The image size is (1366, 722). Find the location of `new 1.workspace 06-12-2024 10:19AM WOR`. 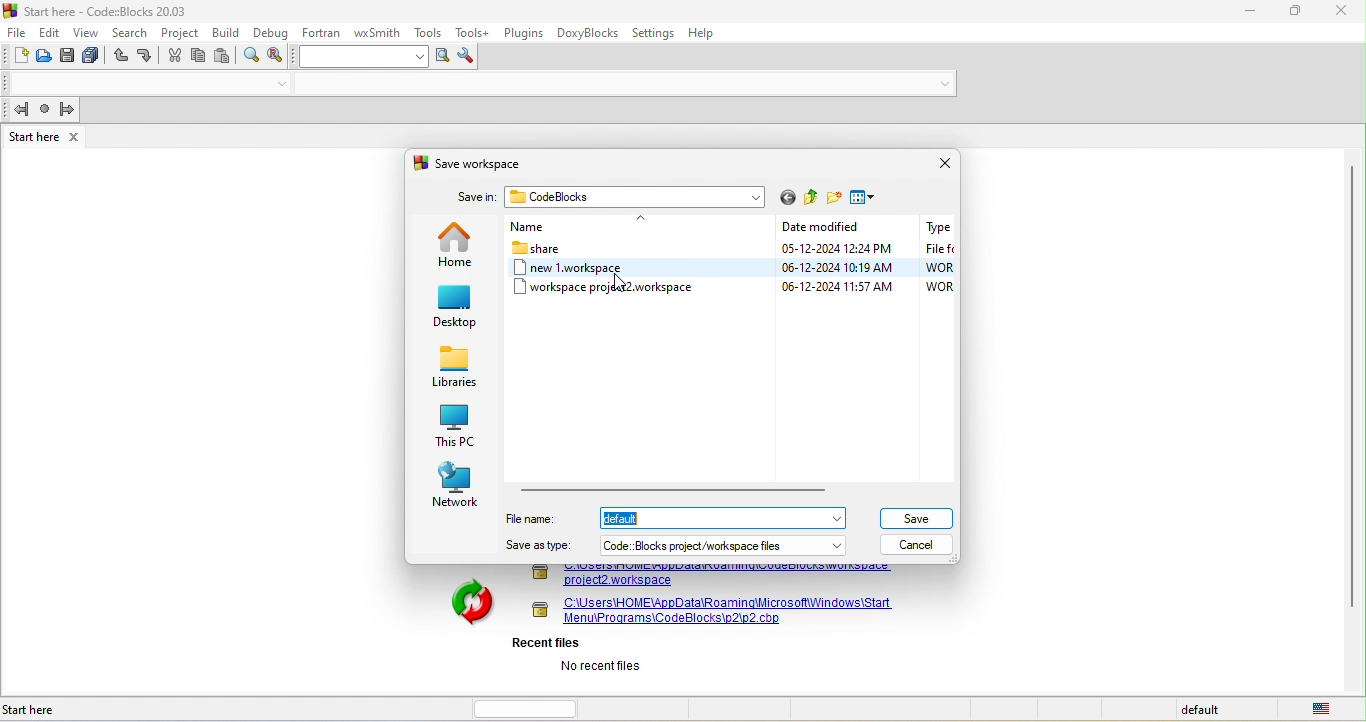

new 1.workspace 06-12-2024 10:19AM WOR is located at coordinates (732, 268).